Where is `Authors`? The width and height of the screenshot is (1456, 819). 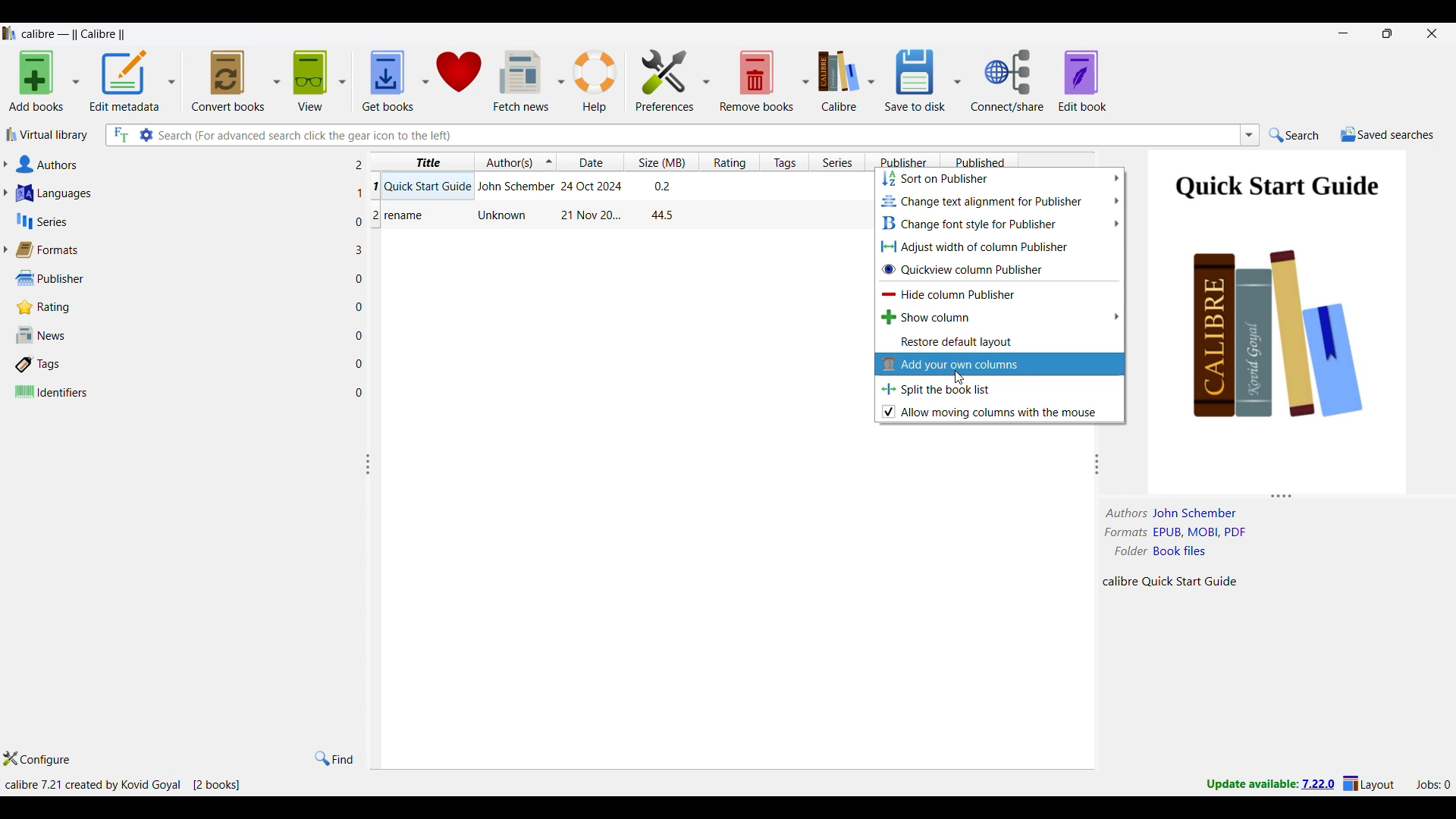
Authors is located at coordinates (180, 164).